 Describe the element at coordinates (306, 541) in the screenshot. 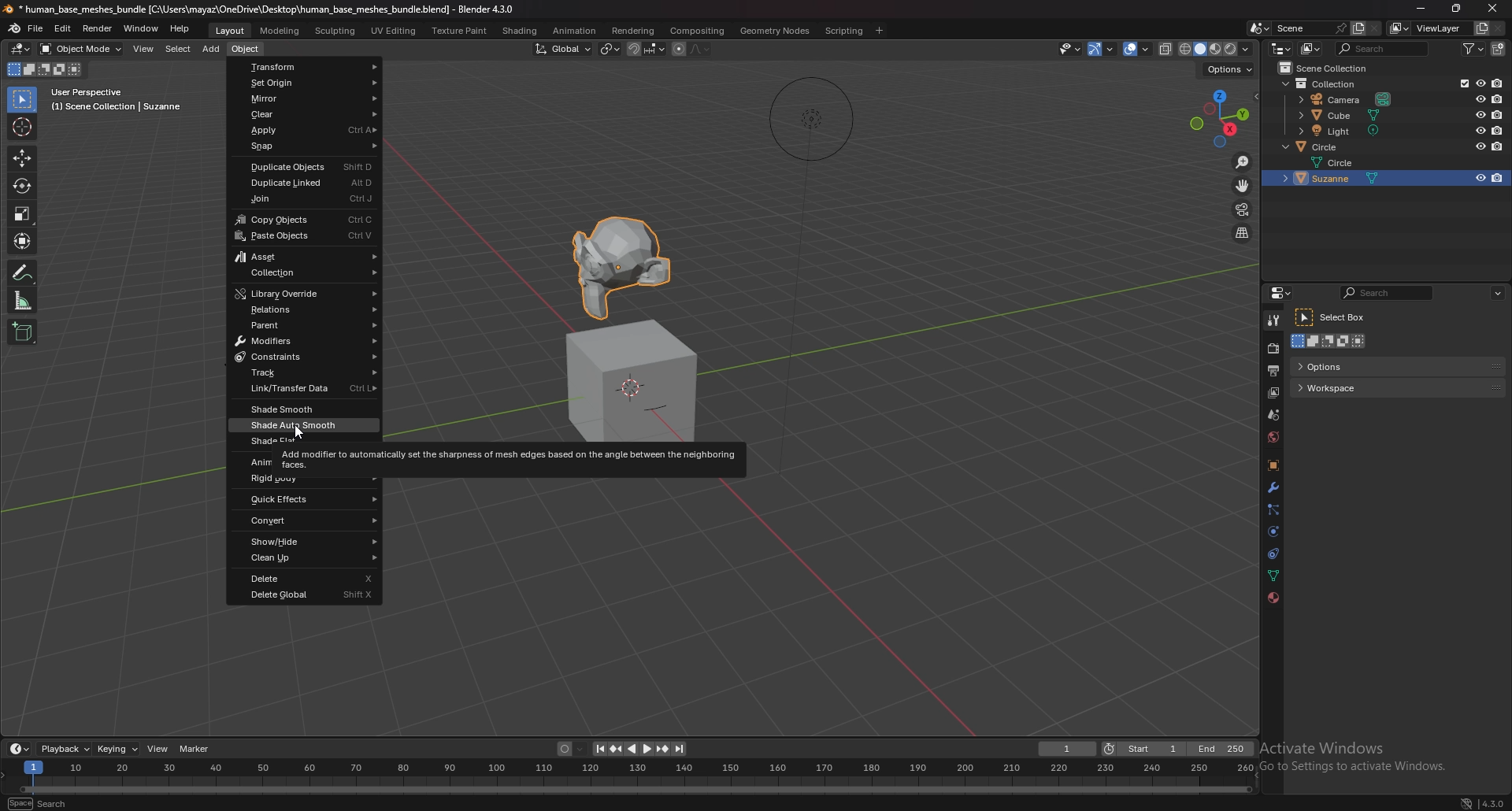

I see `show/hide` at that location.